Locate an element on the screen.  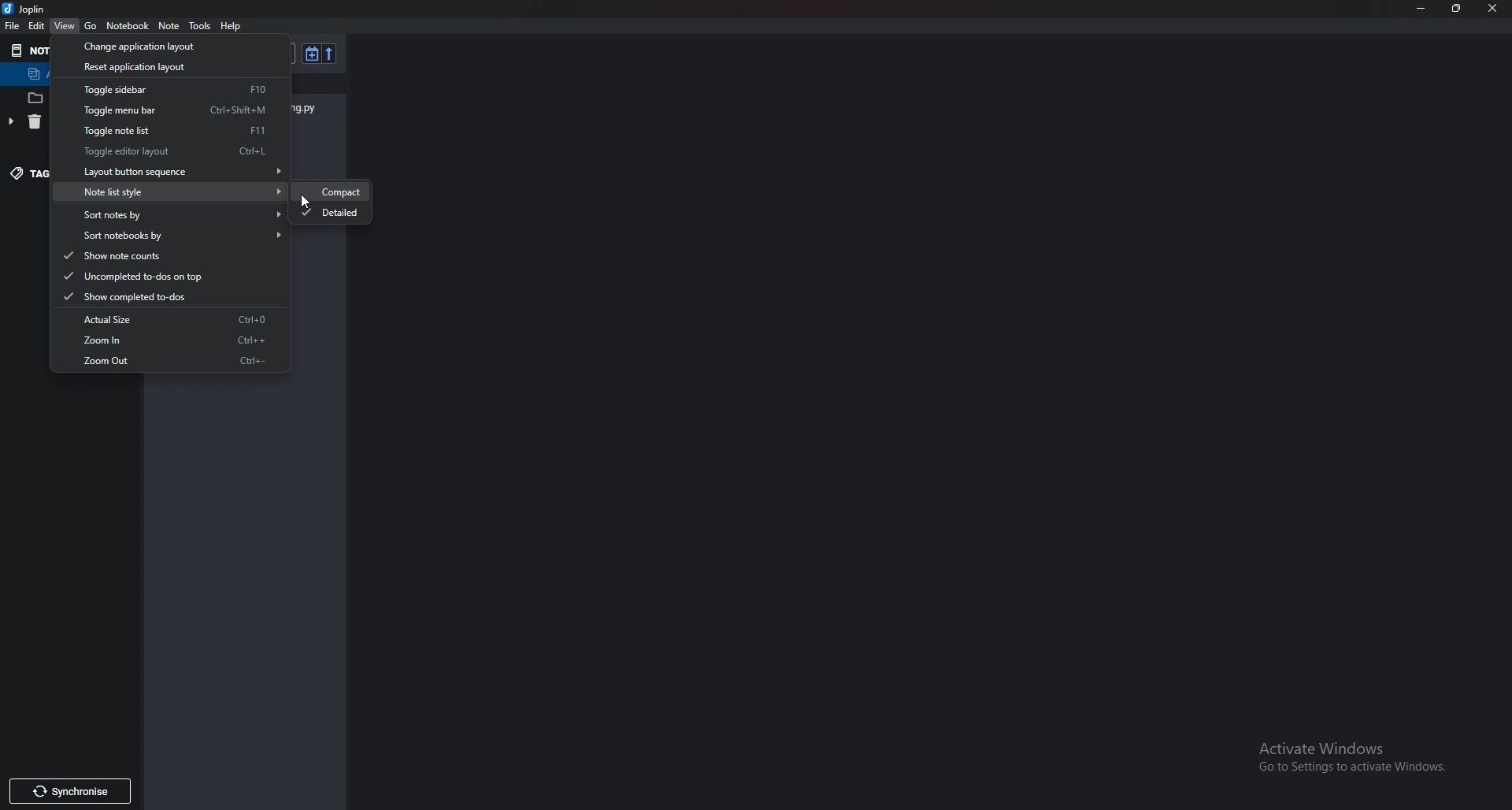
Cursor is located at coordinates (302, 200).